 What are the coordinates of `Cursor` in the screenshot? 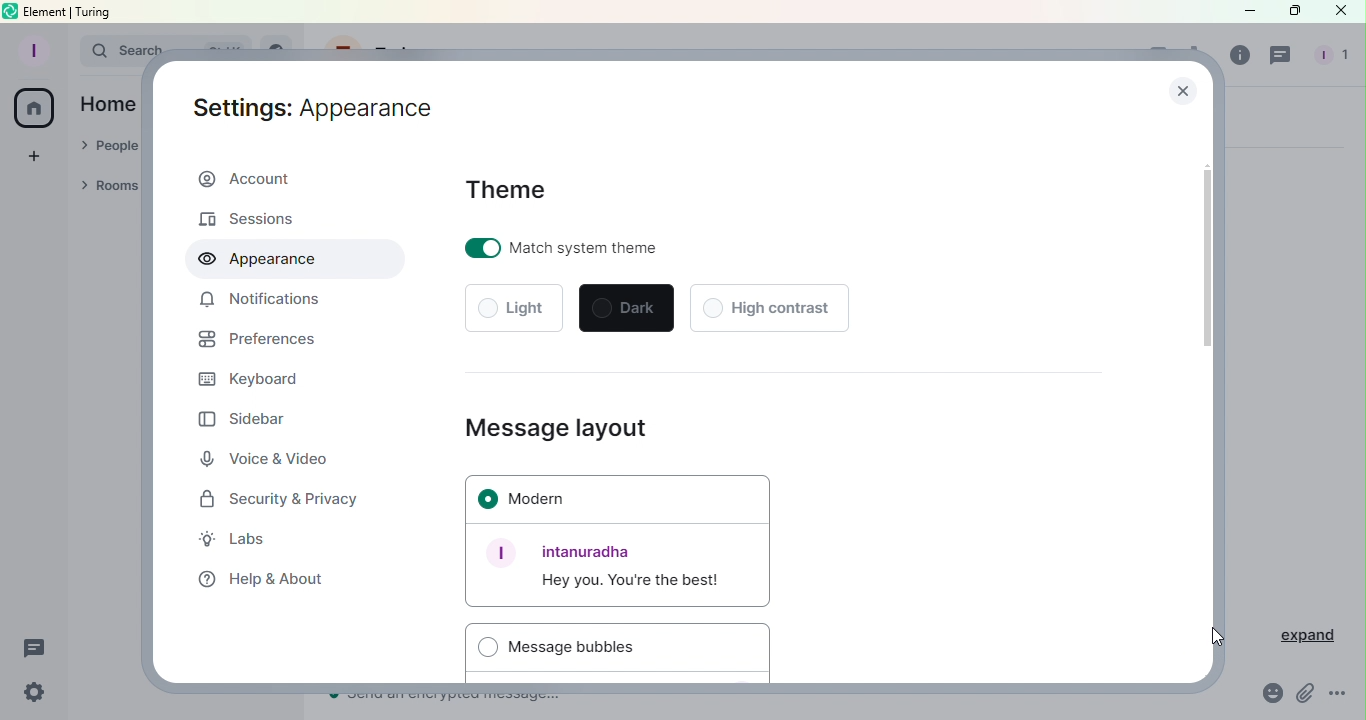 It's located at (1214, 637).